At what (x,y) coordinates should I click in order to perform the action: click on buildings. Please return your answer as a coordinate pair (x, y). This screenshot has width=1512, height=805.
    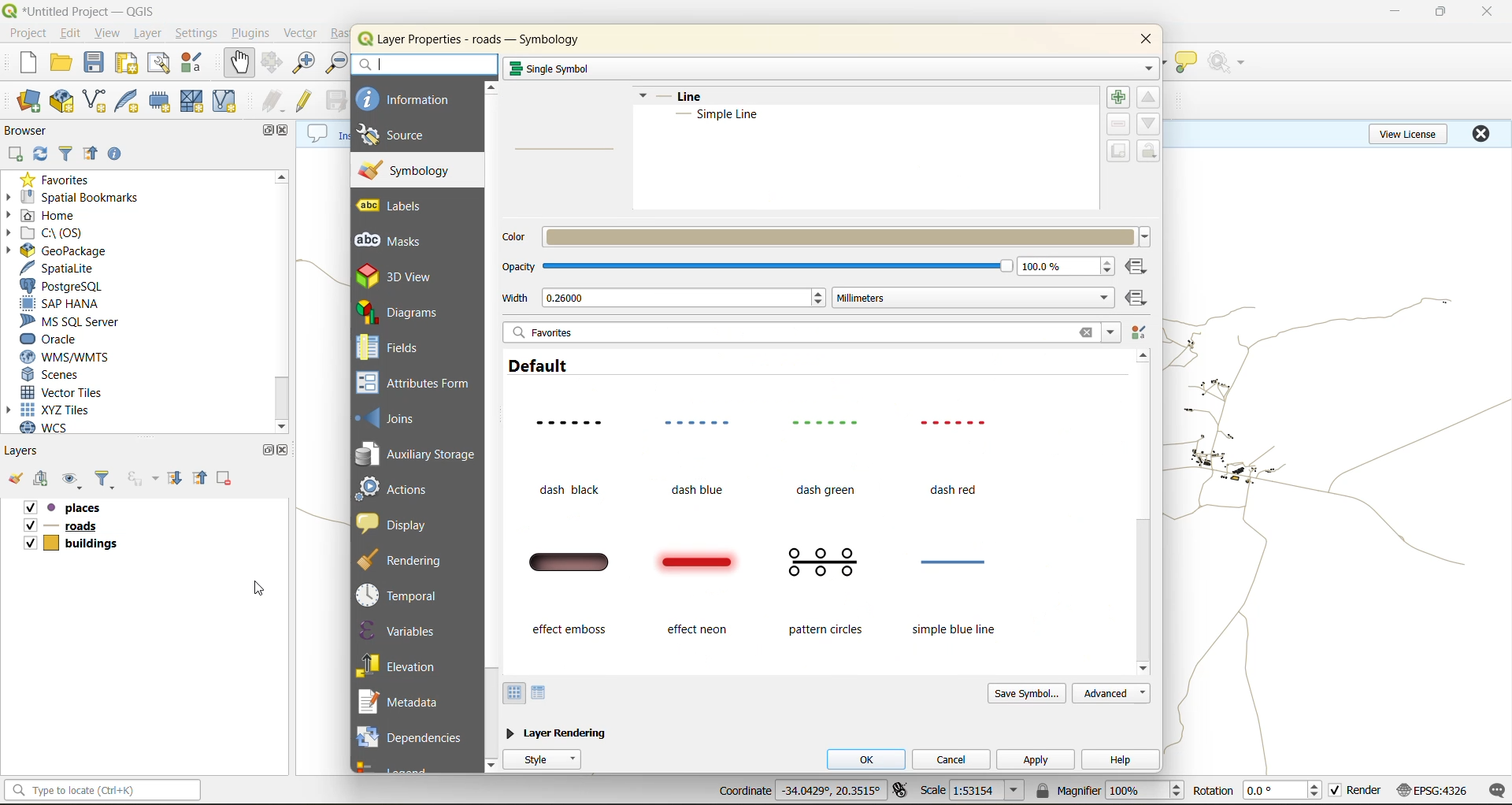
    Looking at the image, I should click on (70, 543).